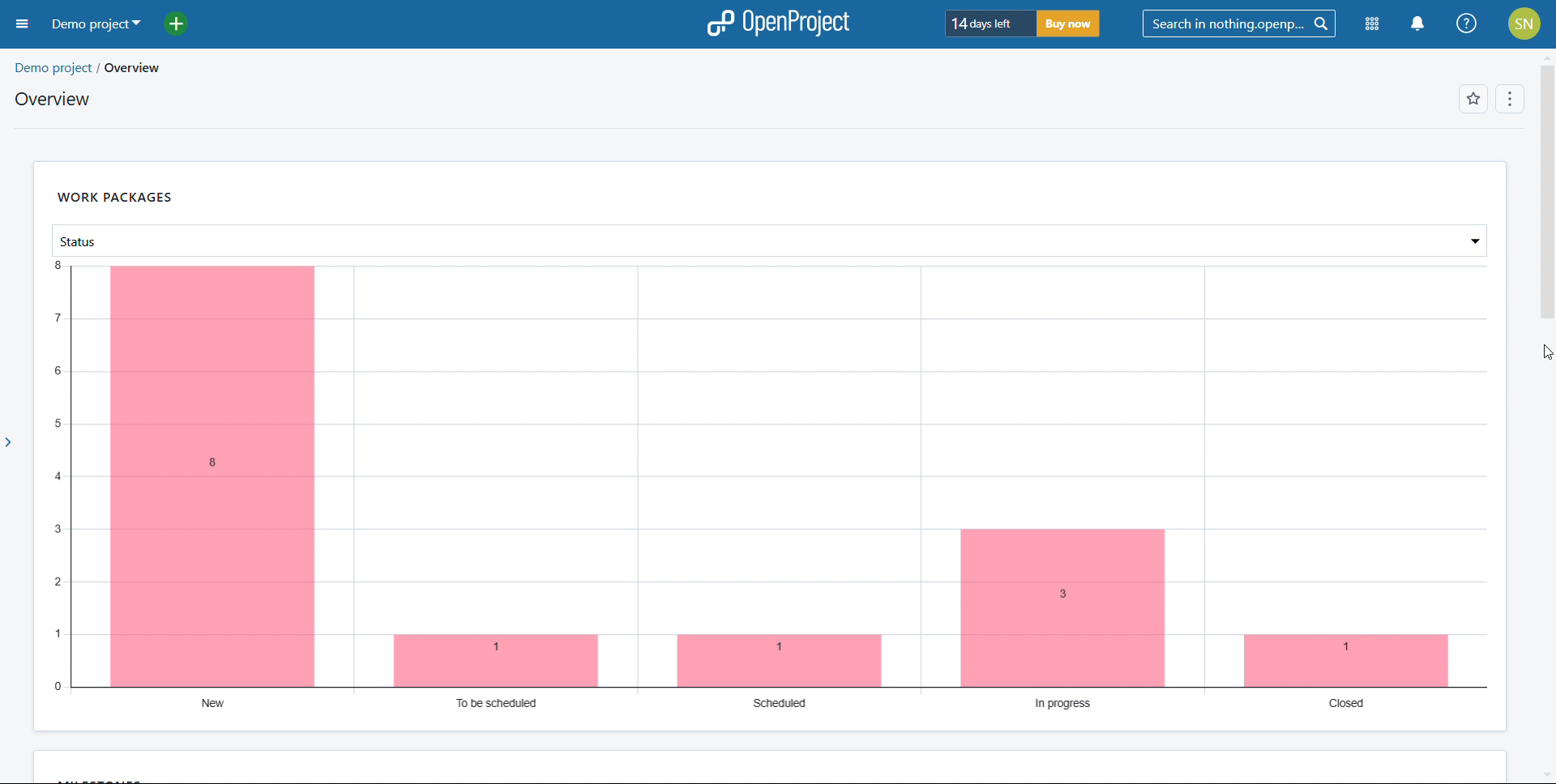  Describe the element at coordinates (95, 23) in the screenshot. I see `demo project selected` at that location.